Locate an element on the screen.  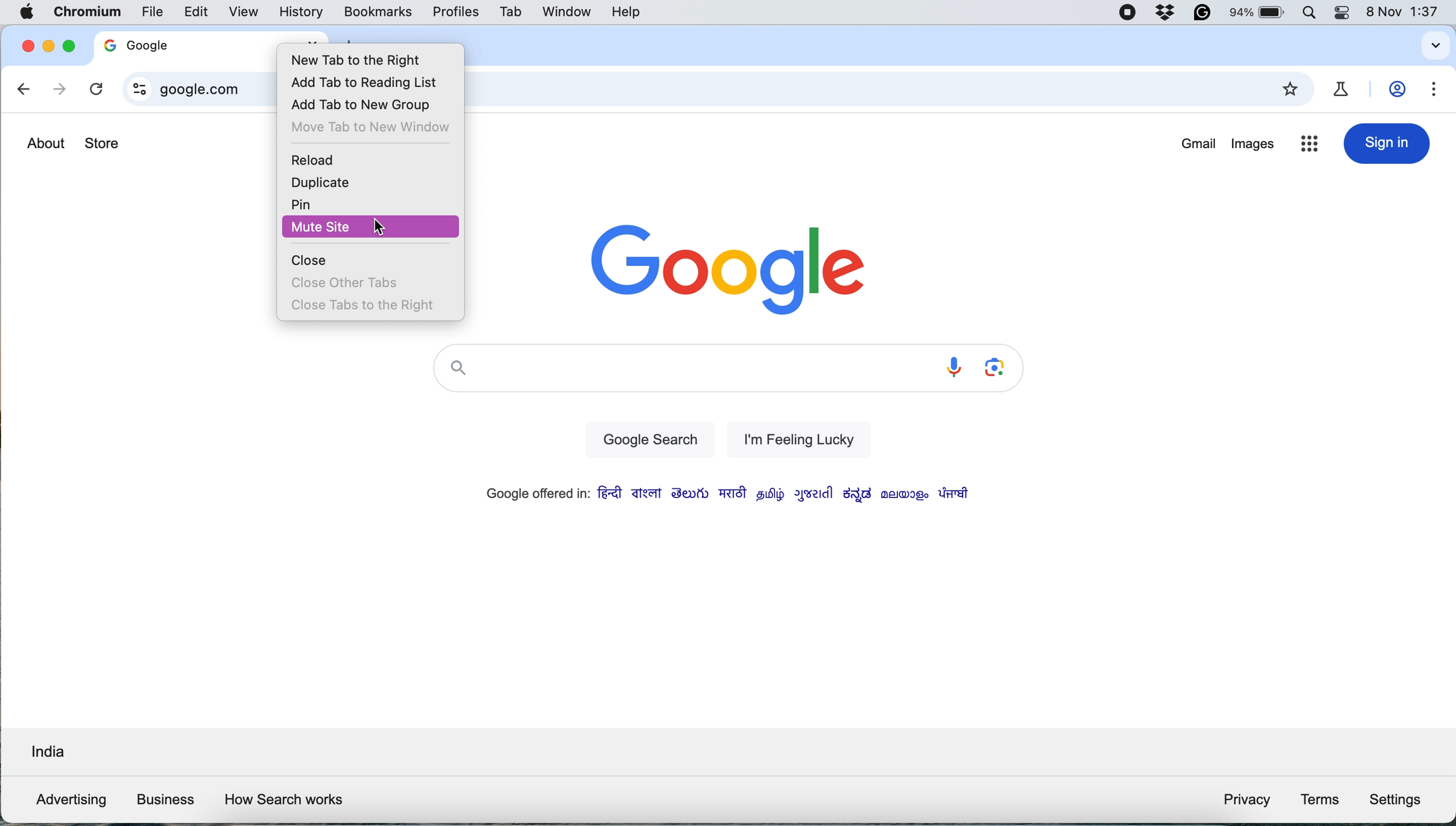
privacy is located at coordinates (1246, 802).